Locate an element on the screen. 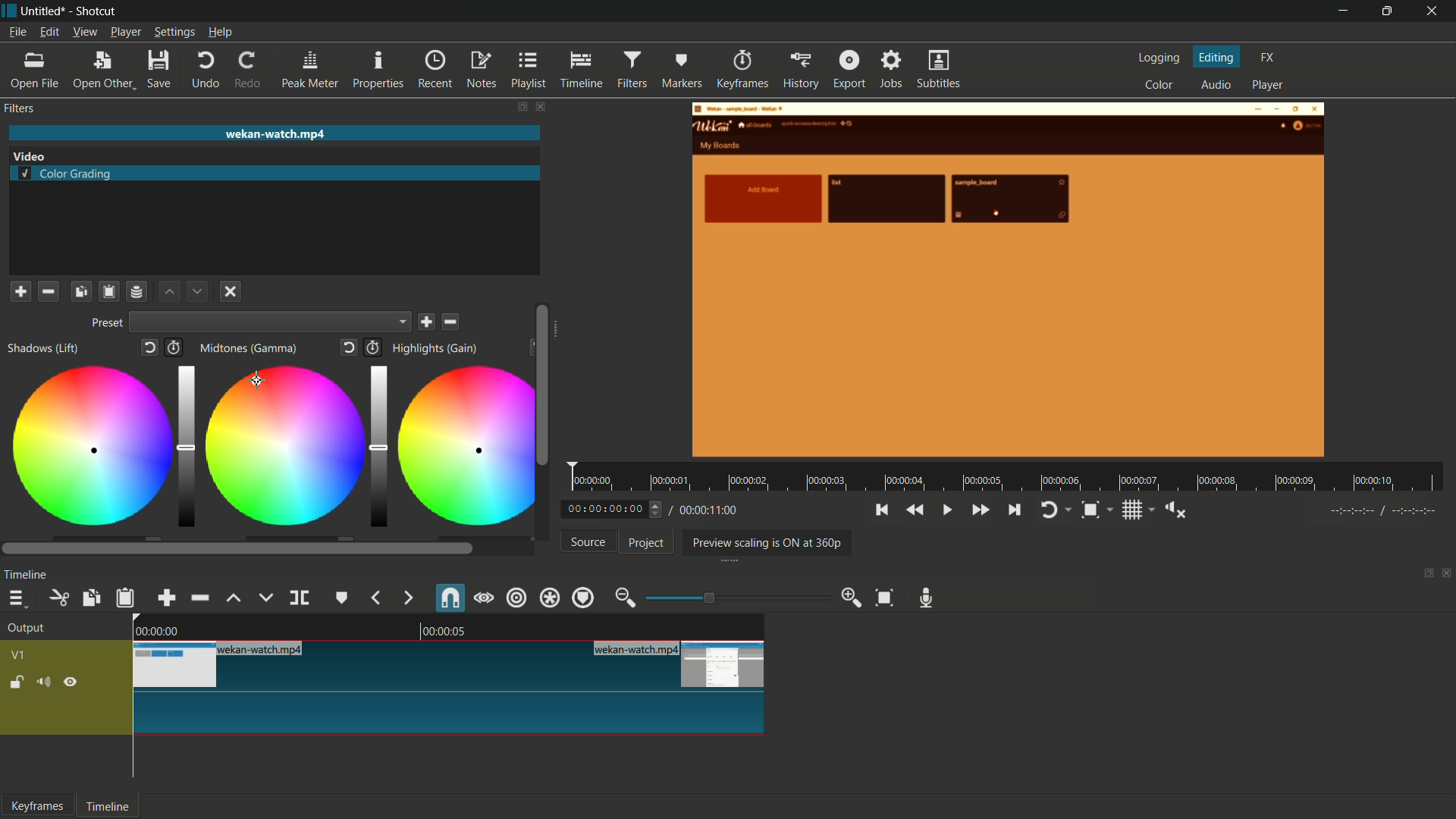 The image size is (1456, 819). output is located at coordinates (27, 630).